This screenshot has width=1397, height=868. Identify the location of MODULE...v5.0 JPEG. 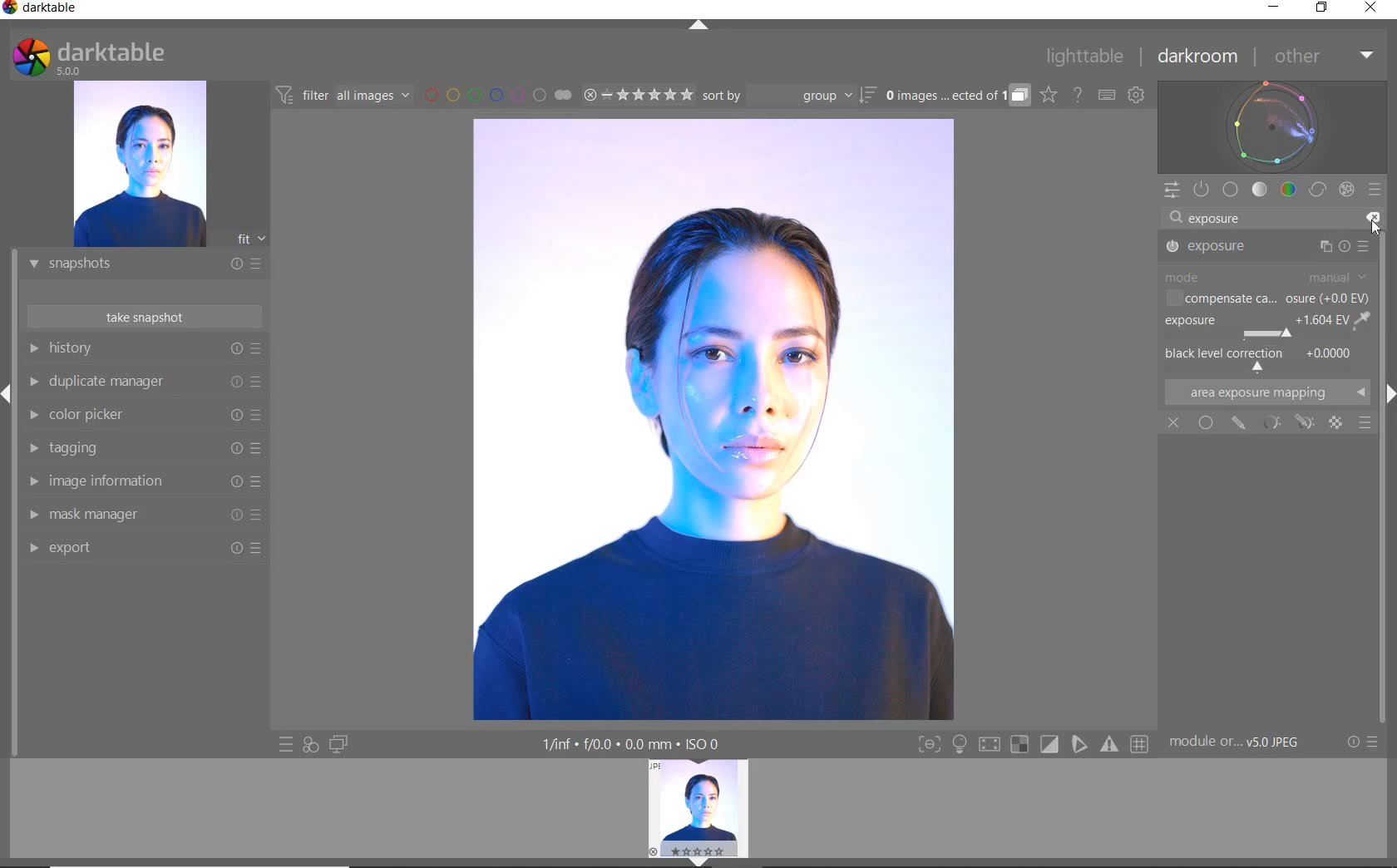
(1246, 742).